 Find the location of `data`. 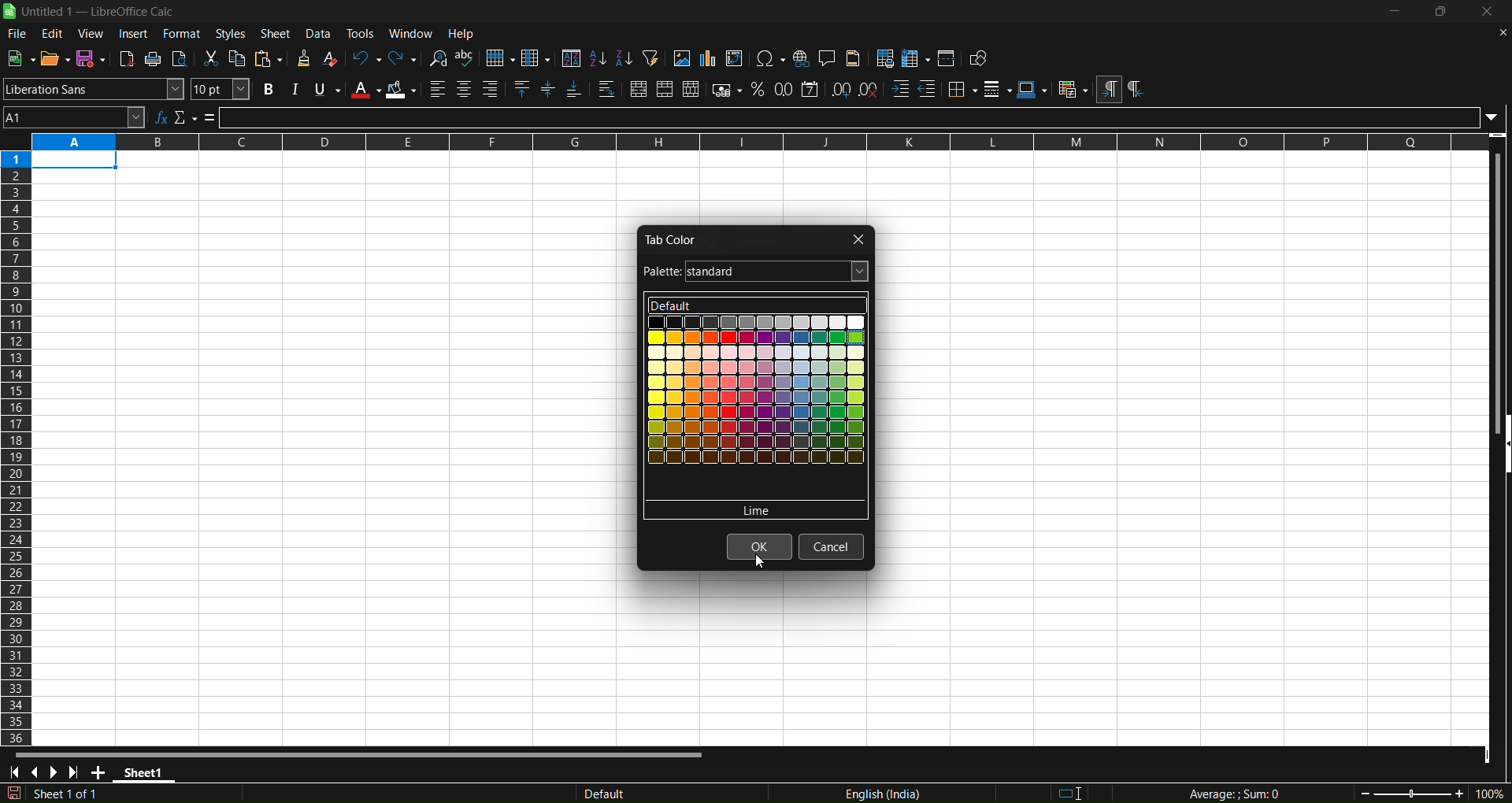

data is located at coordinates (322, 33).